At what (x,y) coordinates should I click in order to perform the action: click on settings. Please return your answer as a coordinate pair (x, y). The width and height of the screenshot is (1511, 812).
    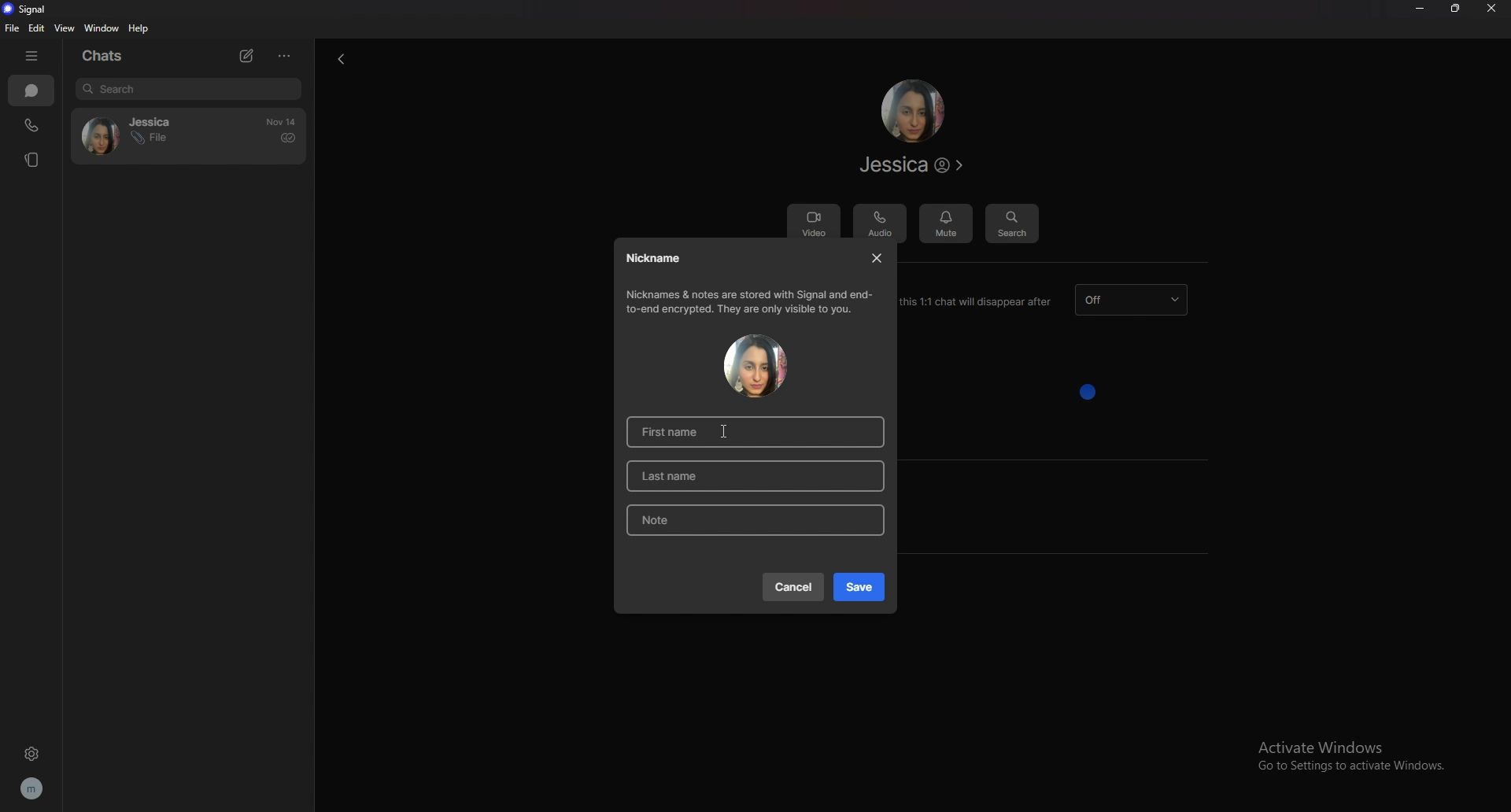
    Looking at the image, I should click on (34, 751).